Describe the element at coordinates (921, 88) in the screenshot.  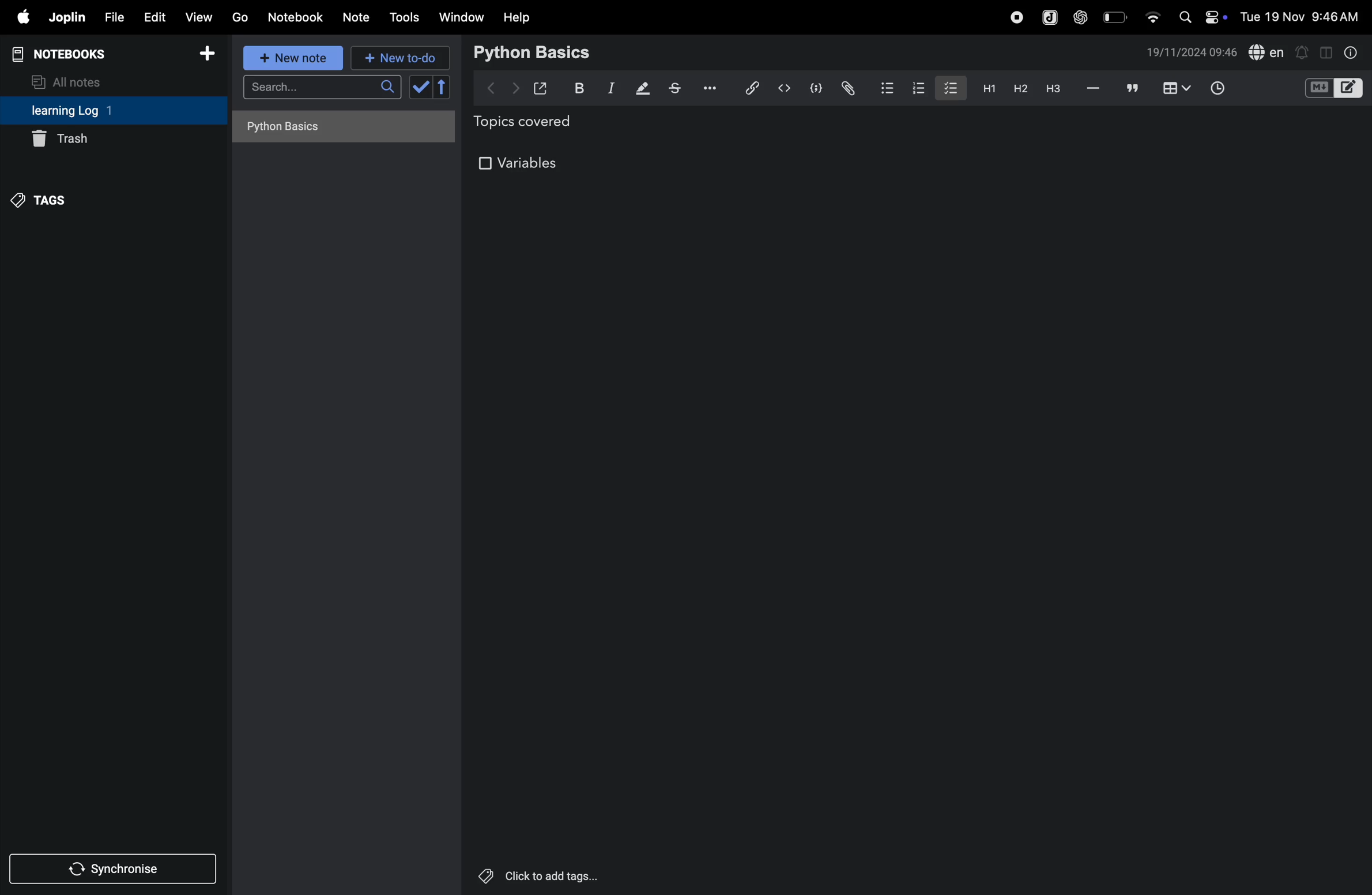
I see `numbered list` at that location.